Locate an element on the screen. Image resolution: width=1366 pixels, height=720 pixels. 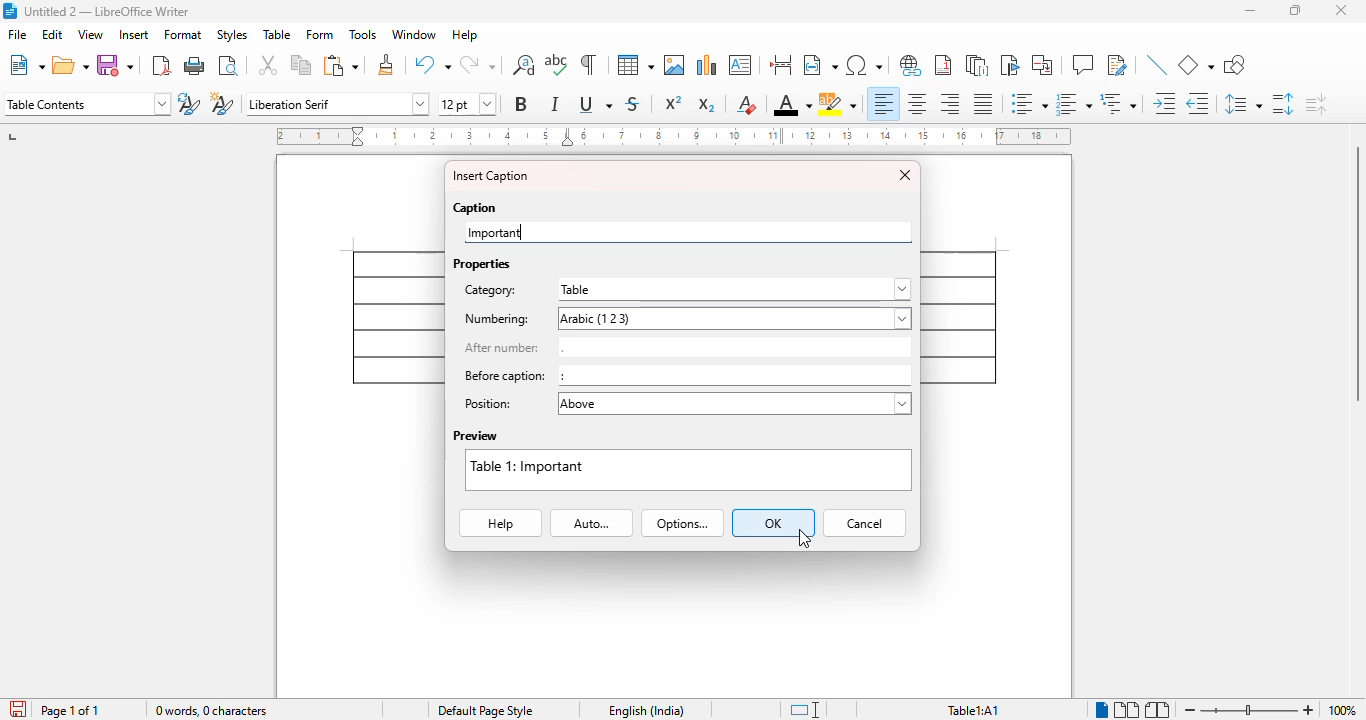
word and character count is located at coordinates (212, 710).